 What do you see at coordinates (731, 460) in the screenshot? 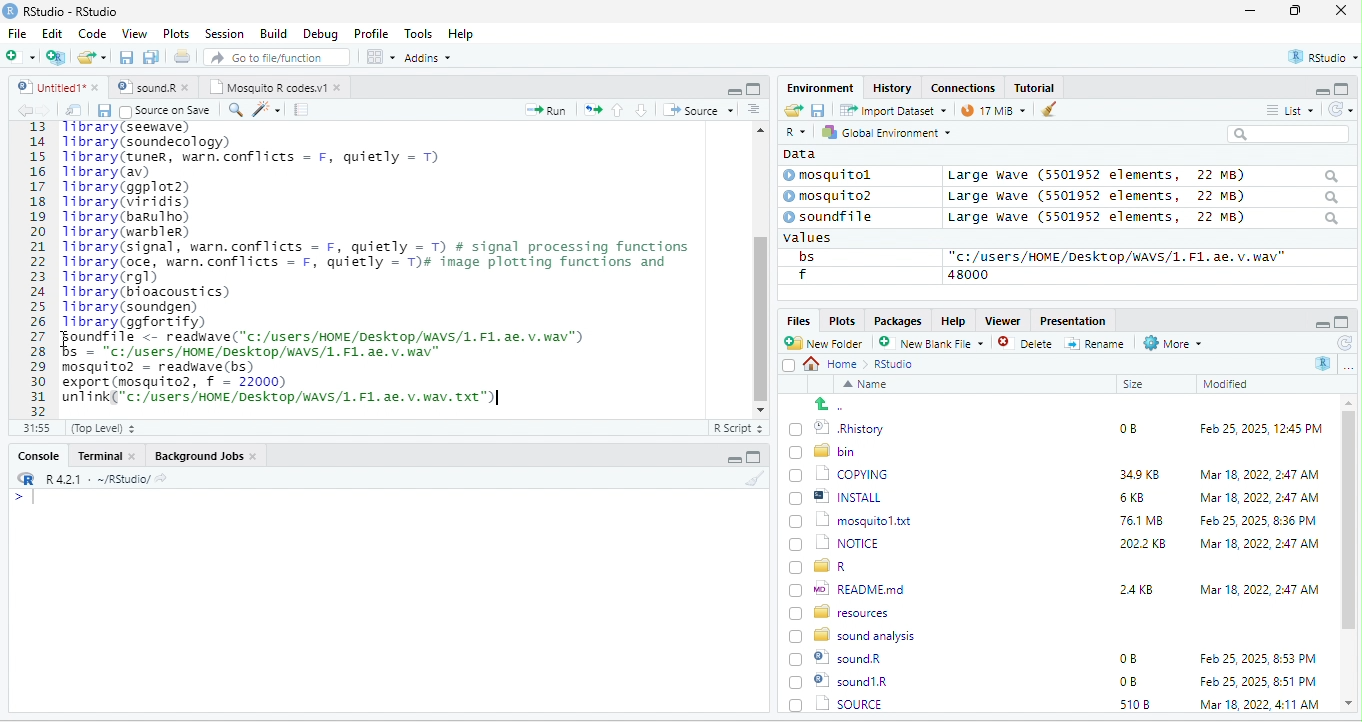
I see `minimize` at bounding box center [731, 460].